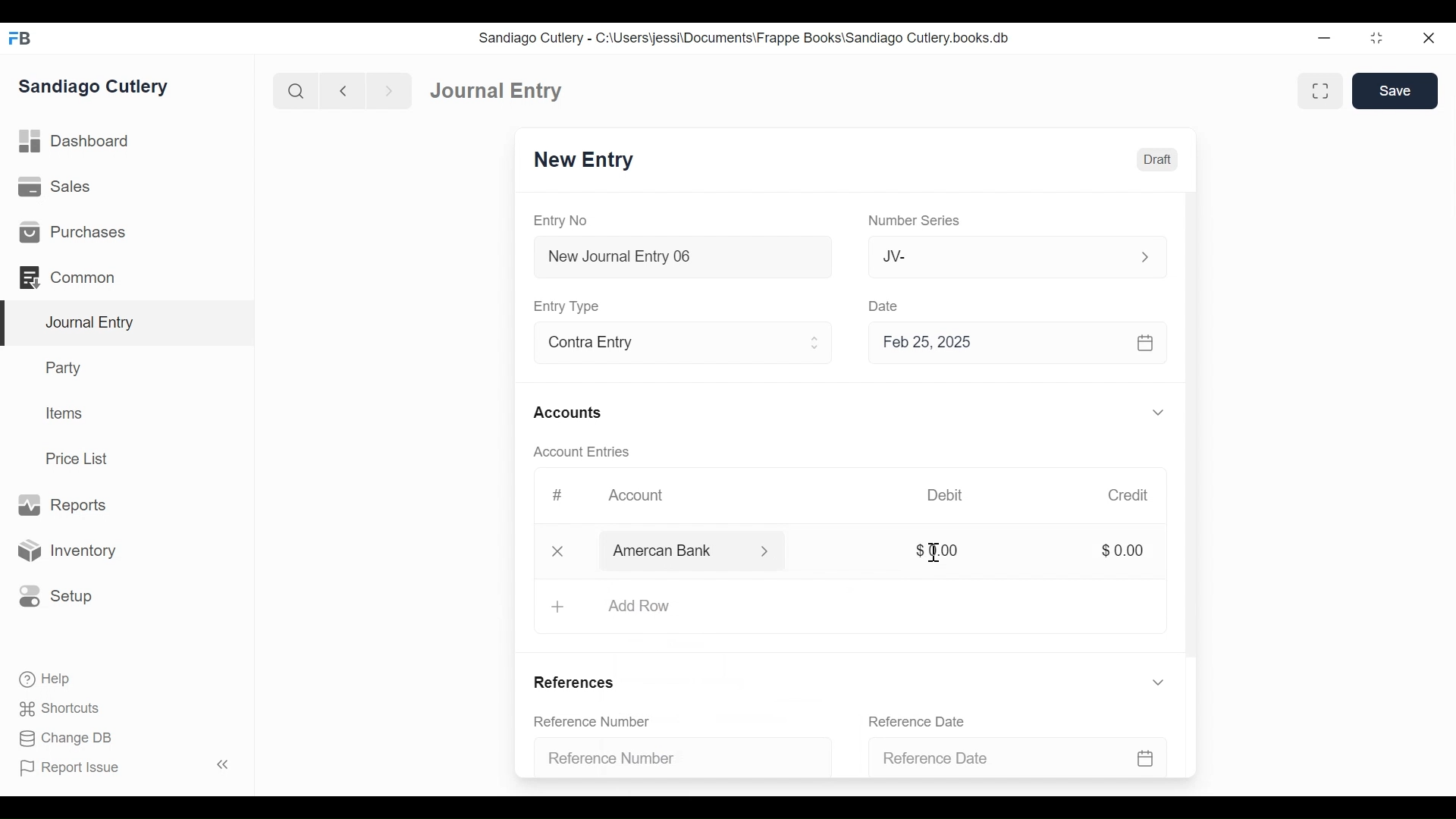 The height and width of the screenshot is (819, 1456). Describe the element at coordinates (569, 306) in the screenshot. I see `Entry Type` at that location.